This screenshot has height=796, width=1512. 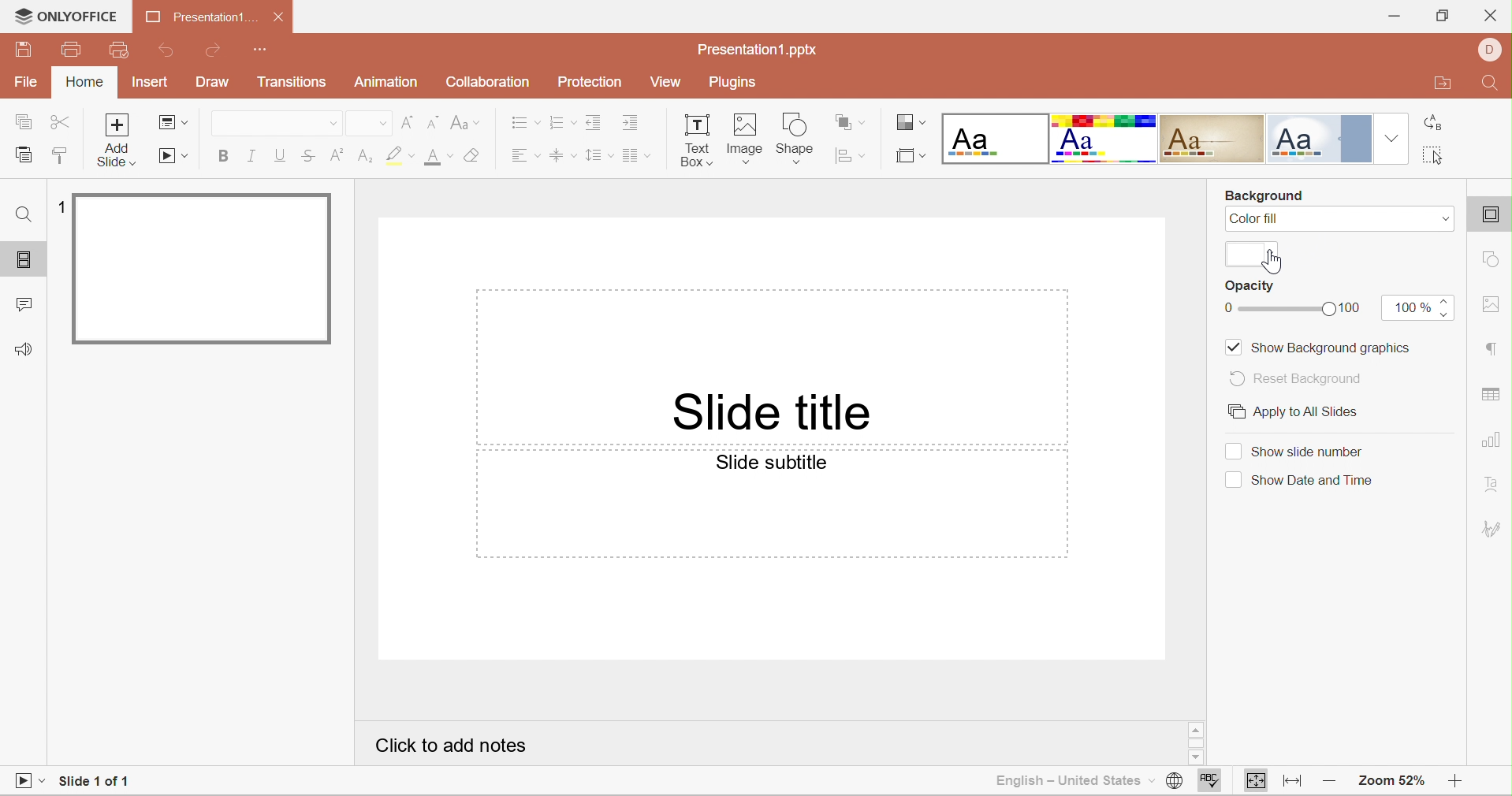 What do you see at coordinates (406, 121) in the screenshot?
I see `Increment font size` at bounding box center [406, 121].